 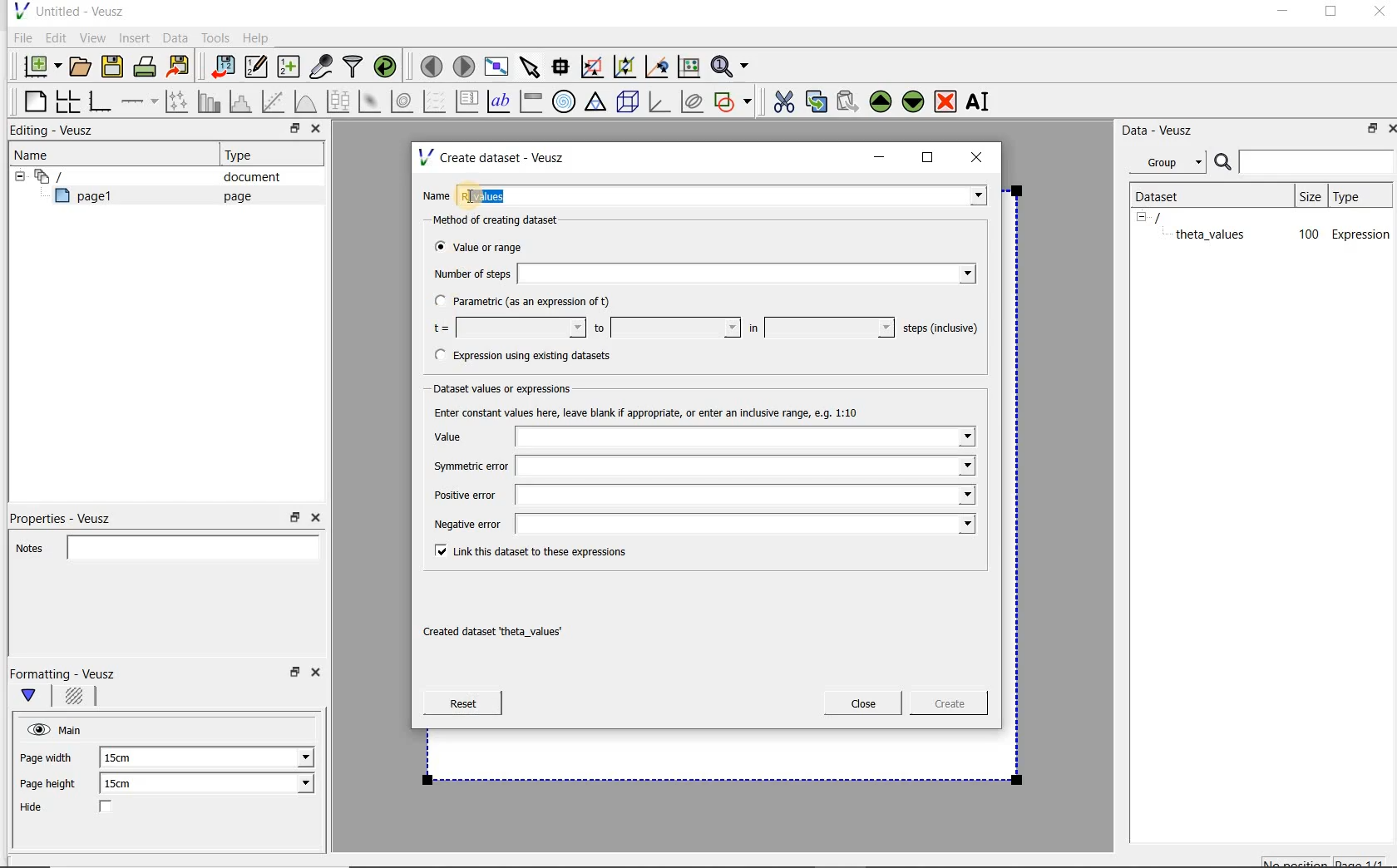 I want to click on cut the selected widget, so click(x=781, y=100).